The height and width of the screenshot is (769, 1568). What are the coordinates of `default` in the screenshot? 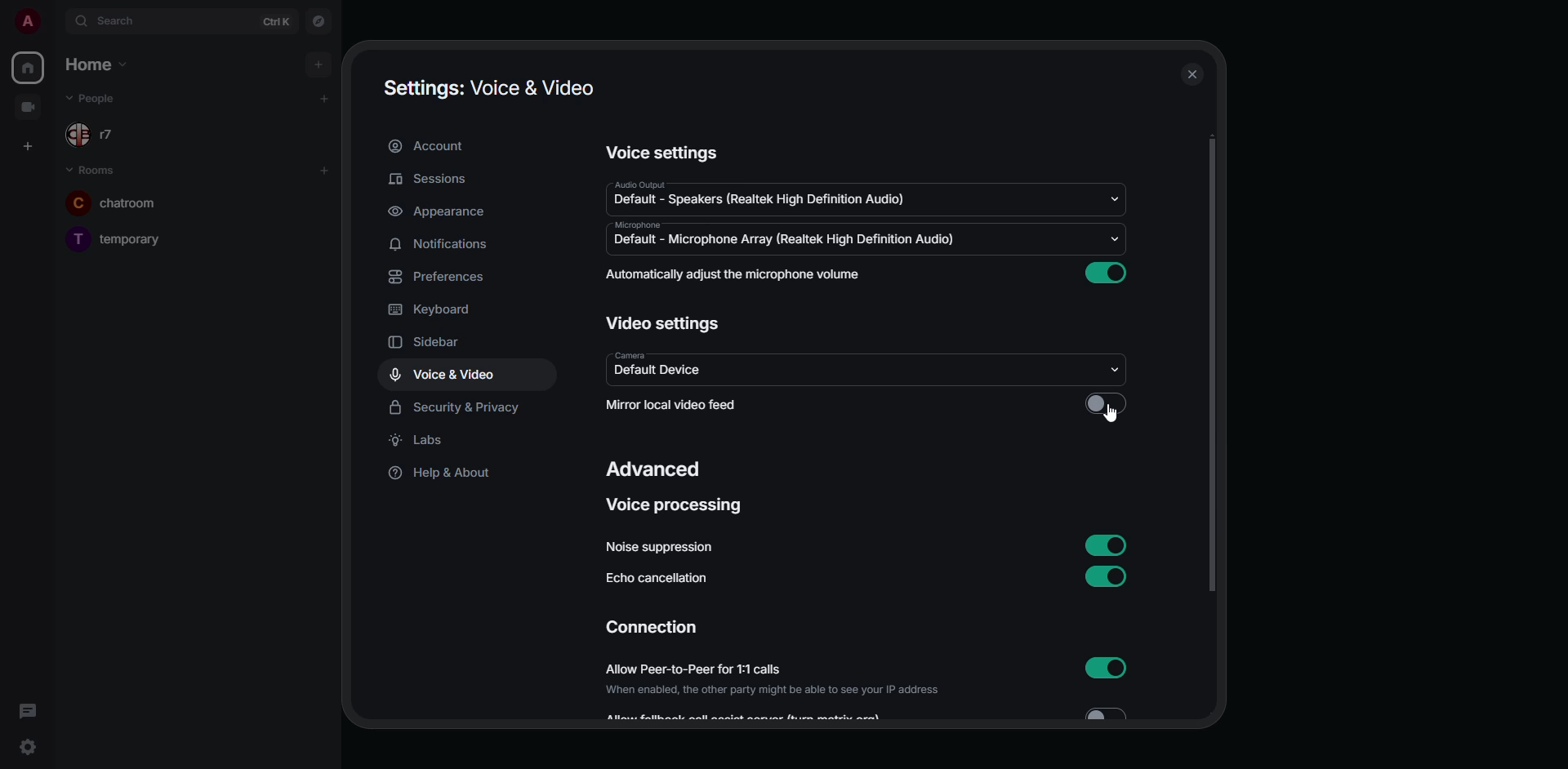 It's located at (757, 202).